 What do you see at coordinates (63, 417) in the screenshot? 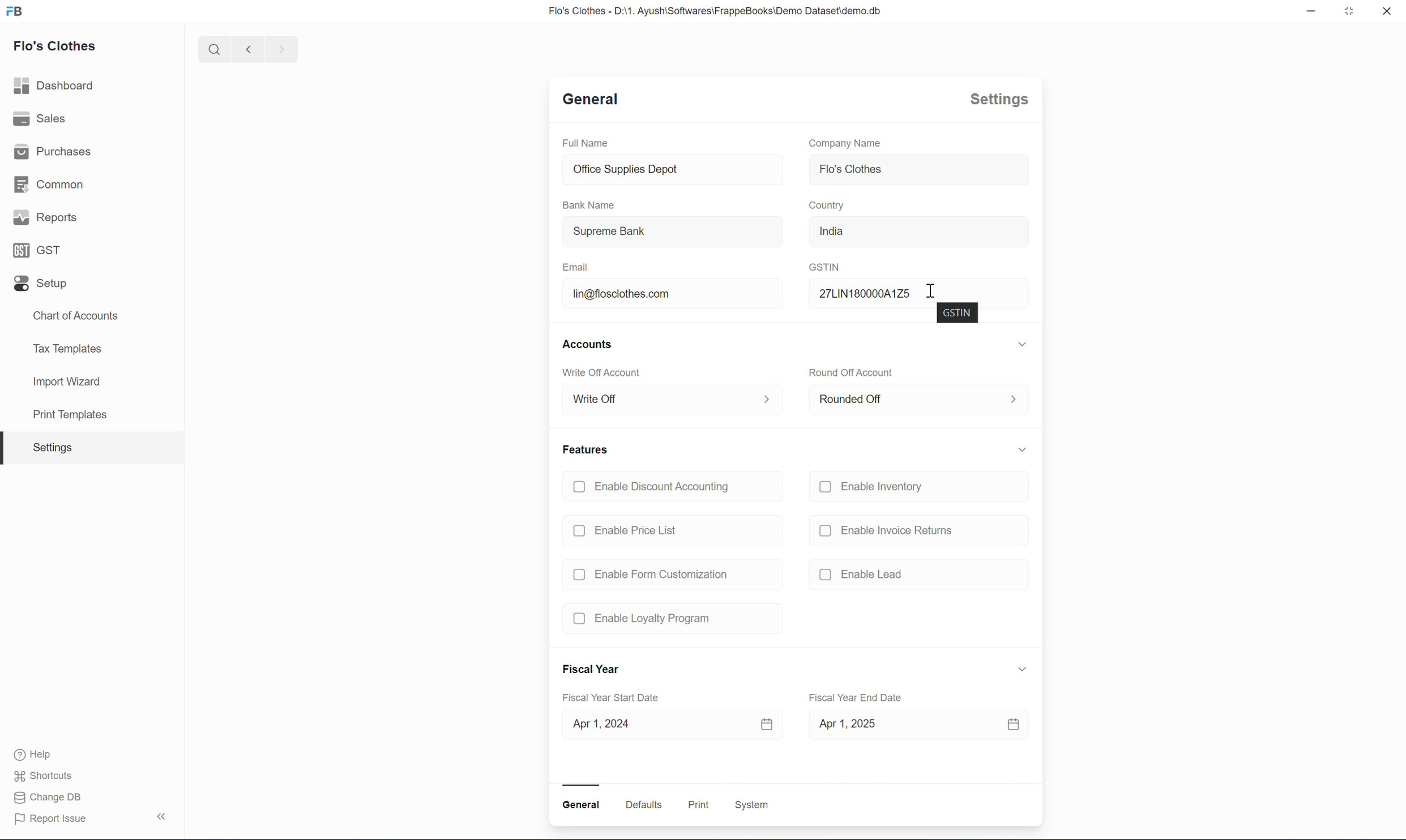
I see `print template` at bounding box center [63, 417].